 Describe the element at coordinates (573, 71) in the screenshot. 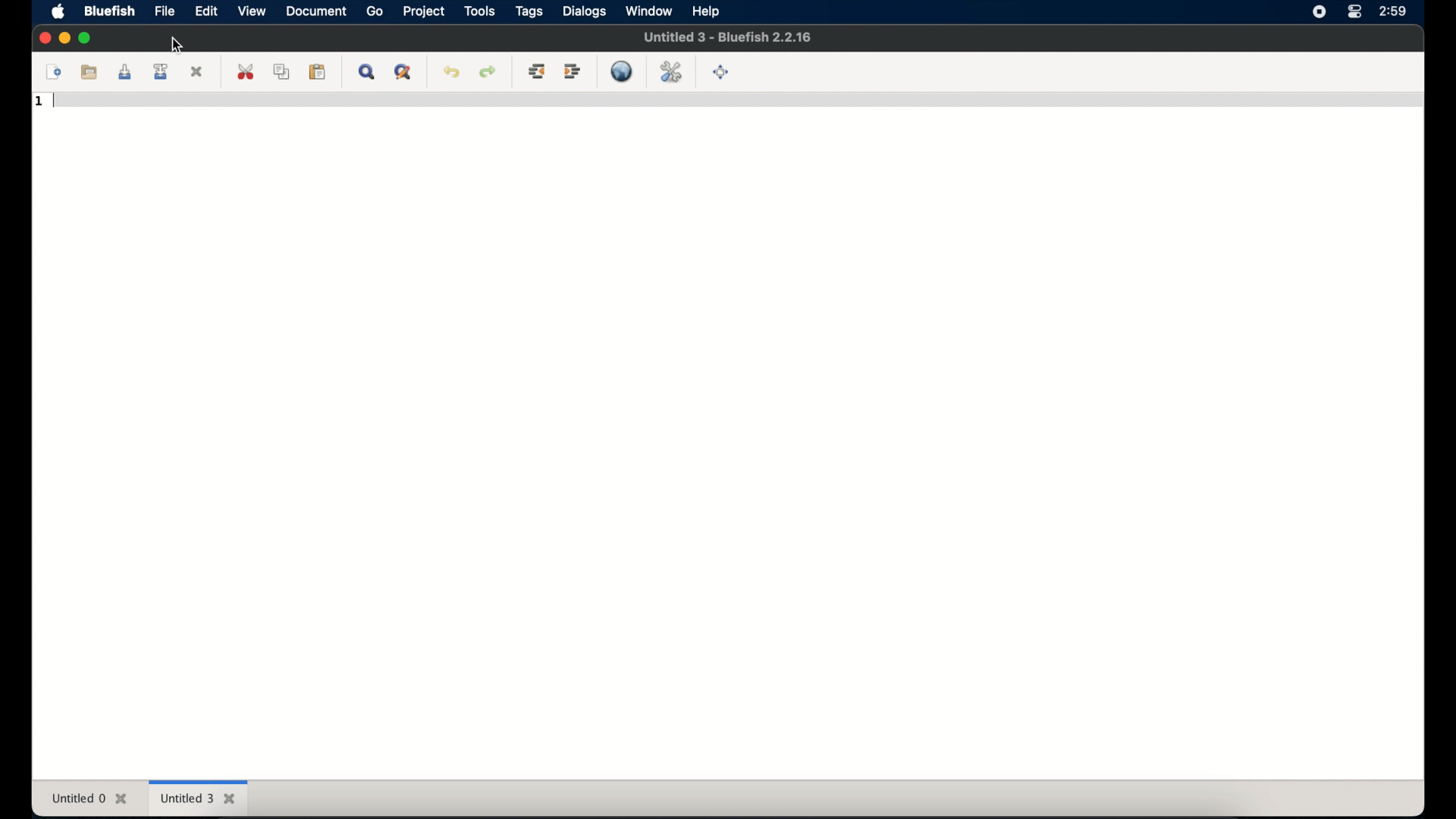

I see `indent` at that location.